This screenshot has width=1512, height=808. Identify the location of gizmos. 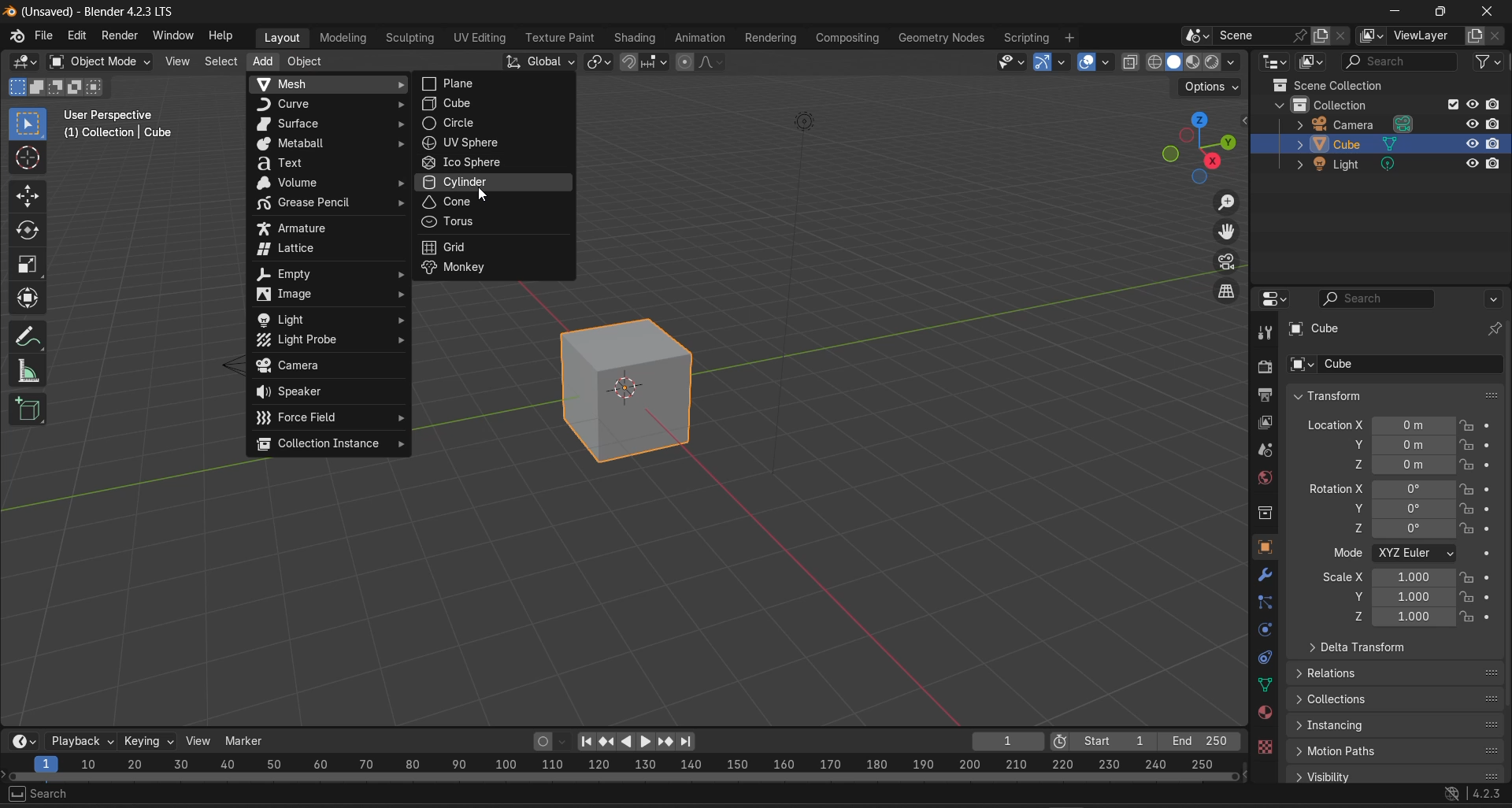
(1062, 62).